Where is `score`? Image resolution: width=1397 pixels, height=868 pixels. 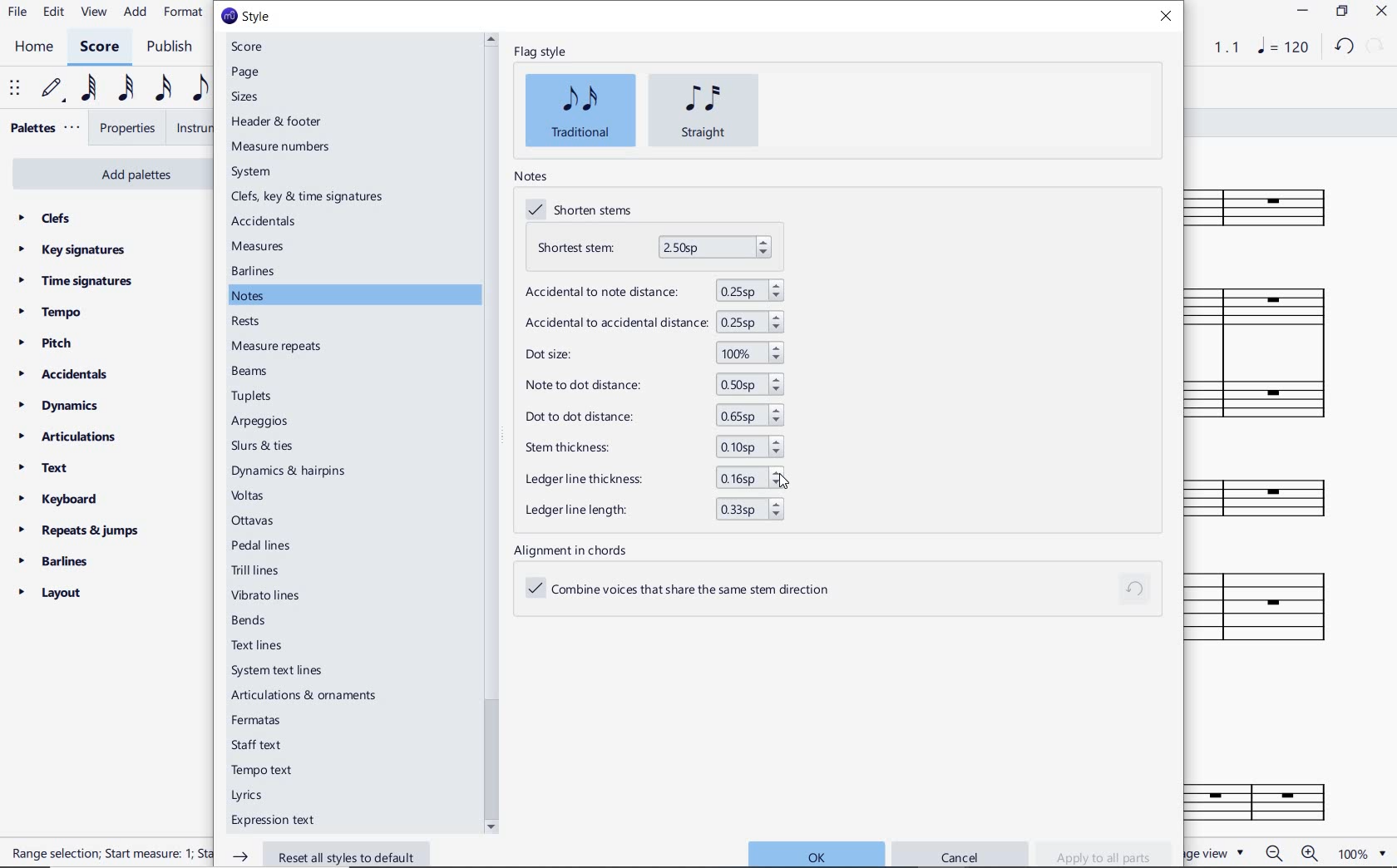 score is located at coordinates (98, 48).